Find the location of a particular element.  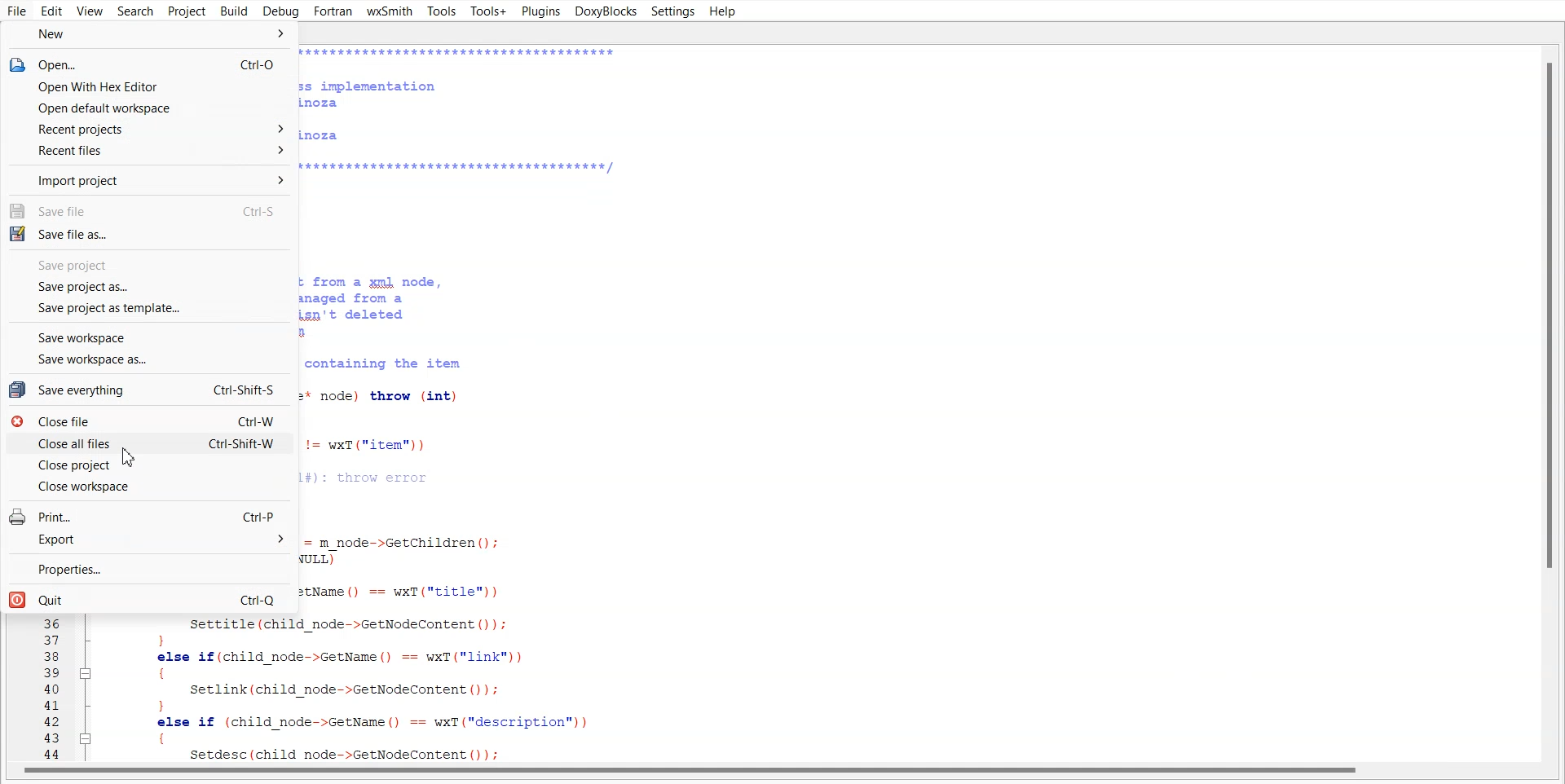

Import project is located at coordinates (148, 179).